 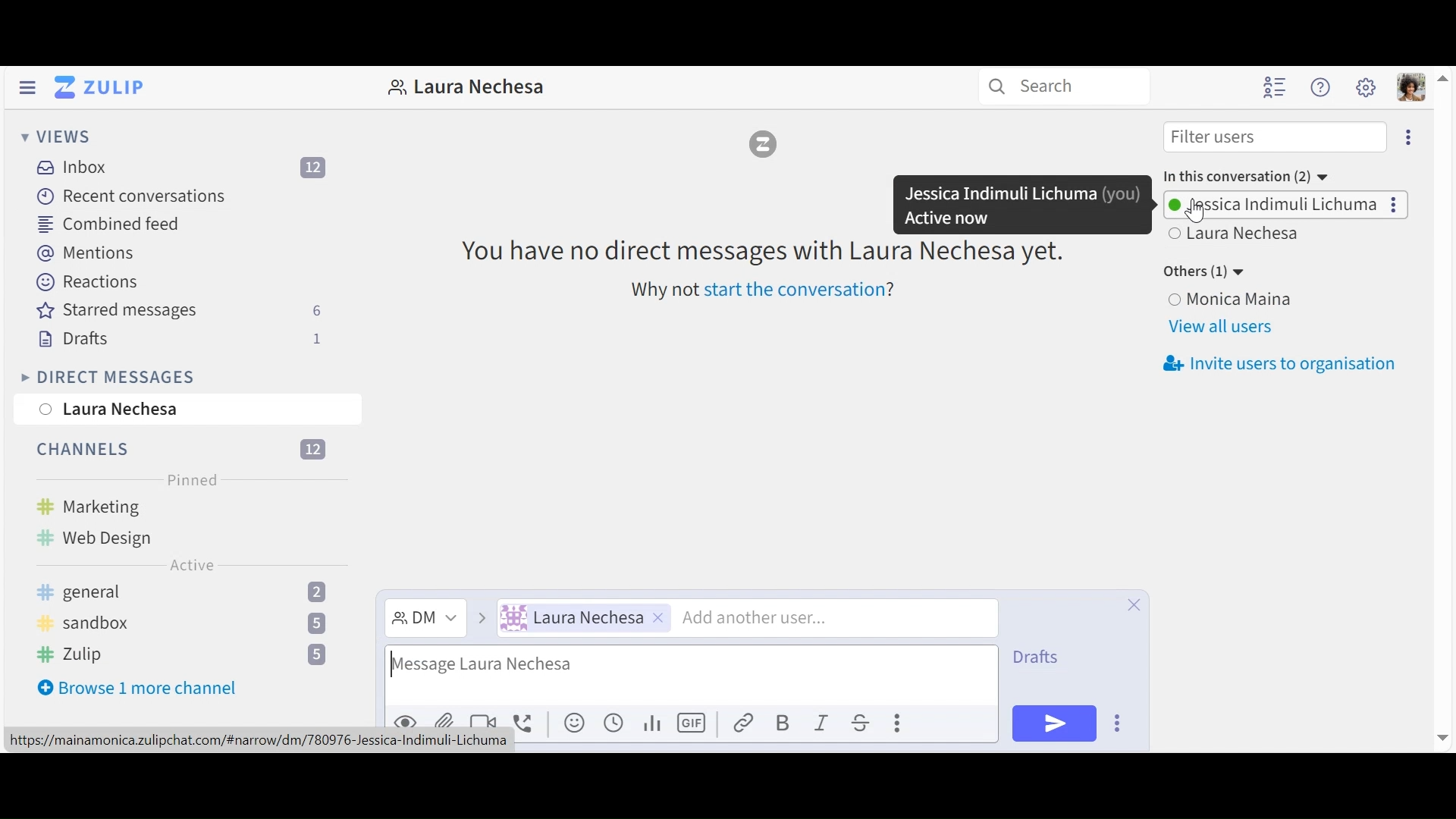 I want to click on general, so click(x=190, y=592).